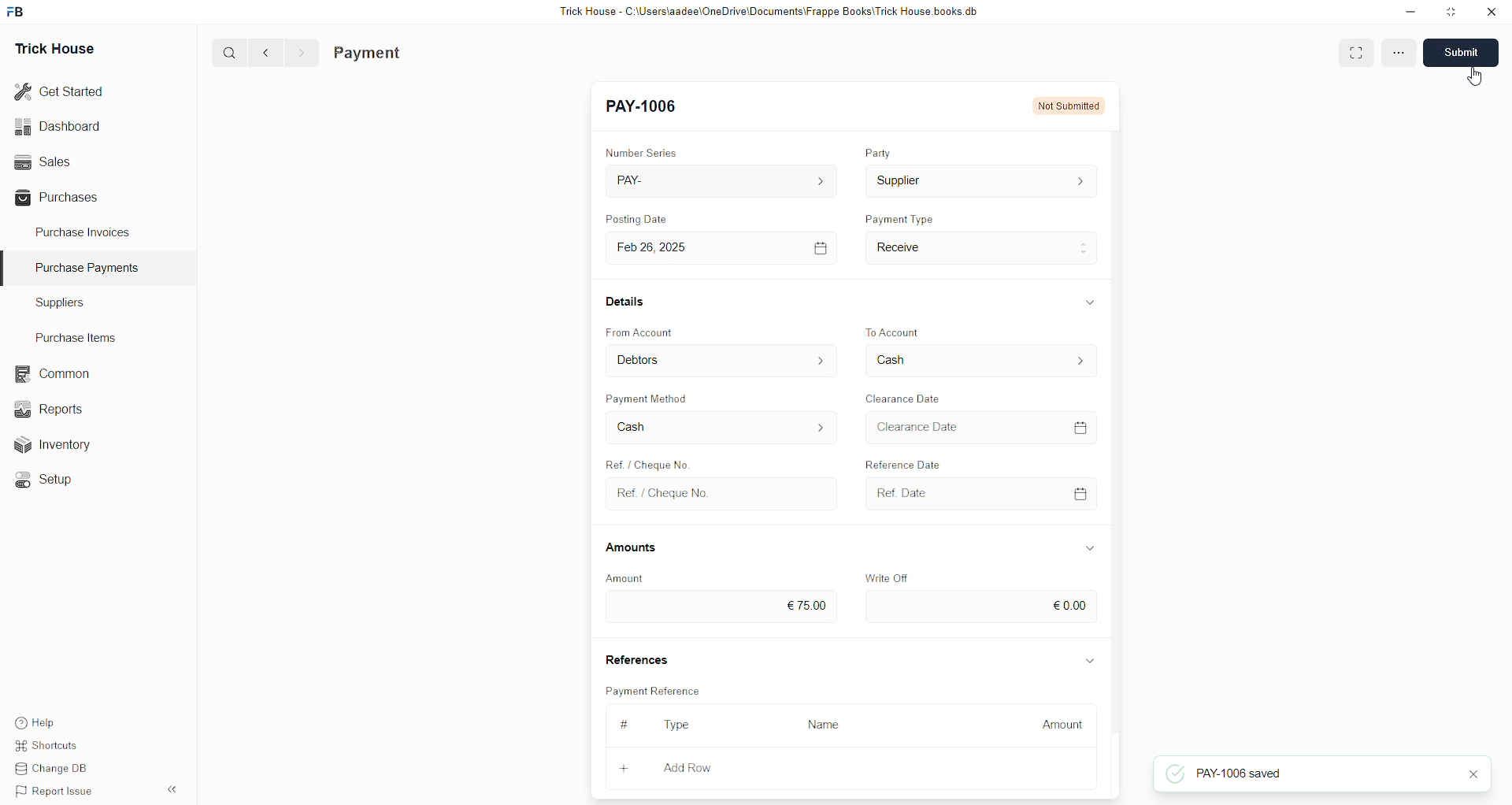  What do you see at coordinates (623, 769) in the screenshot?
I see `+` at bounding box center [623, 769].